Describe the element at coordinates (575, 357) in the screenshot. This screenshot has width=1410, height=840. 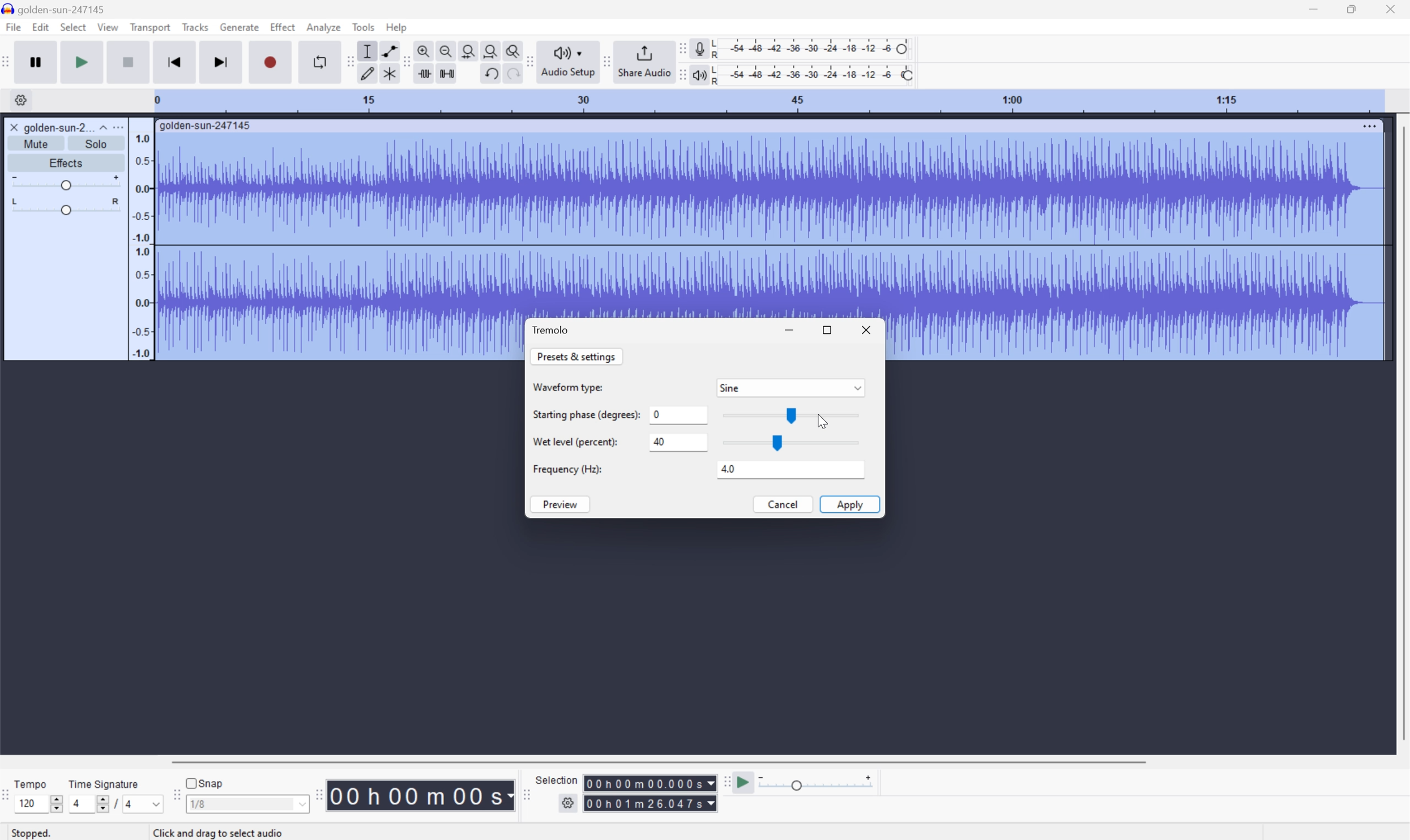
I see `Presets & settings` at that location.